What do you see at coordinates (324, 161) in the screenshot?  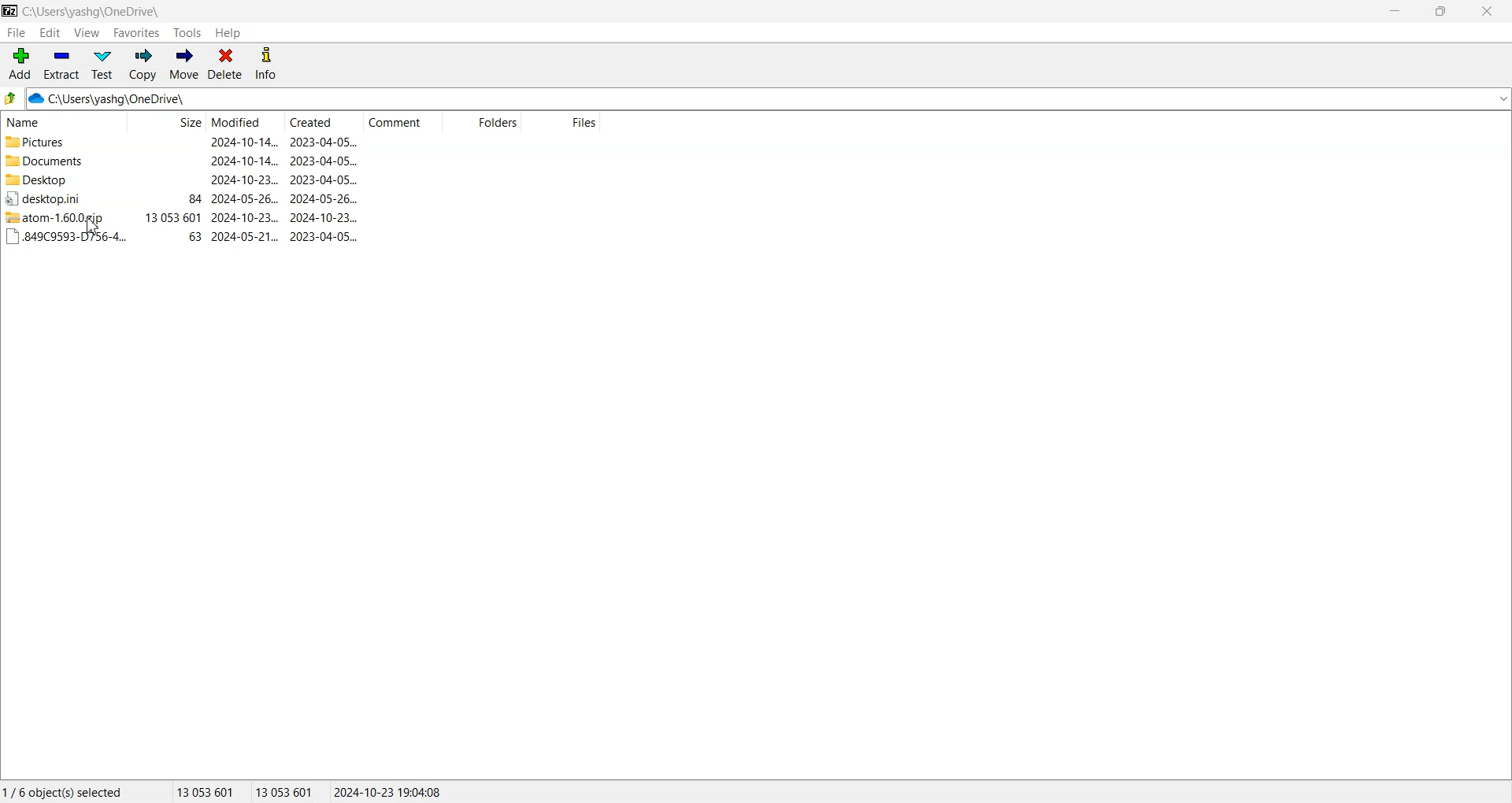 I see `2023-04-05` at bounding box center [324, 161].